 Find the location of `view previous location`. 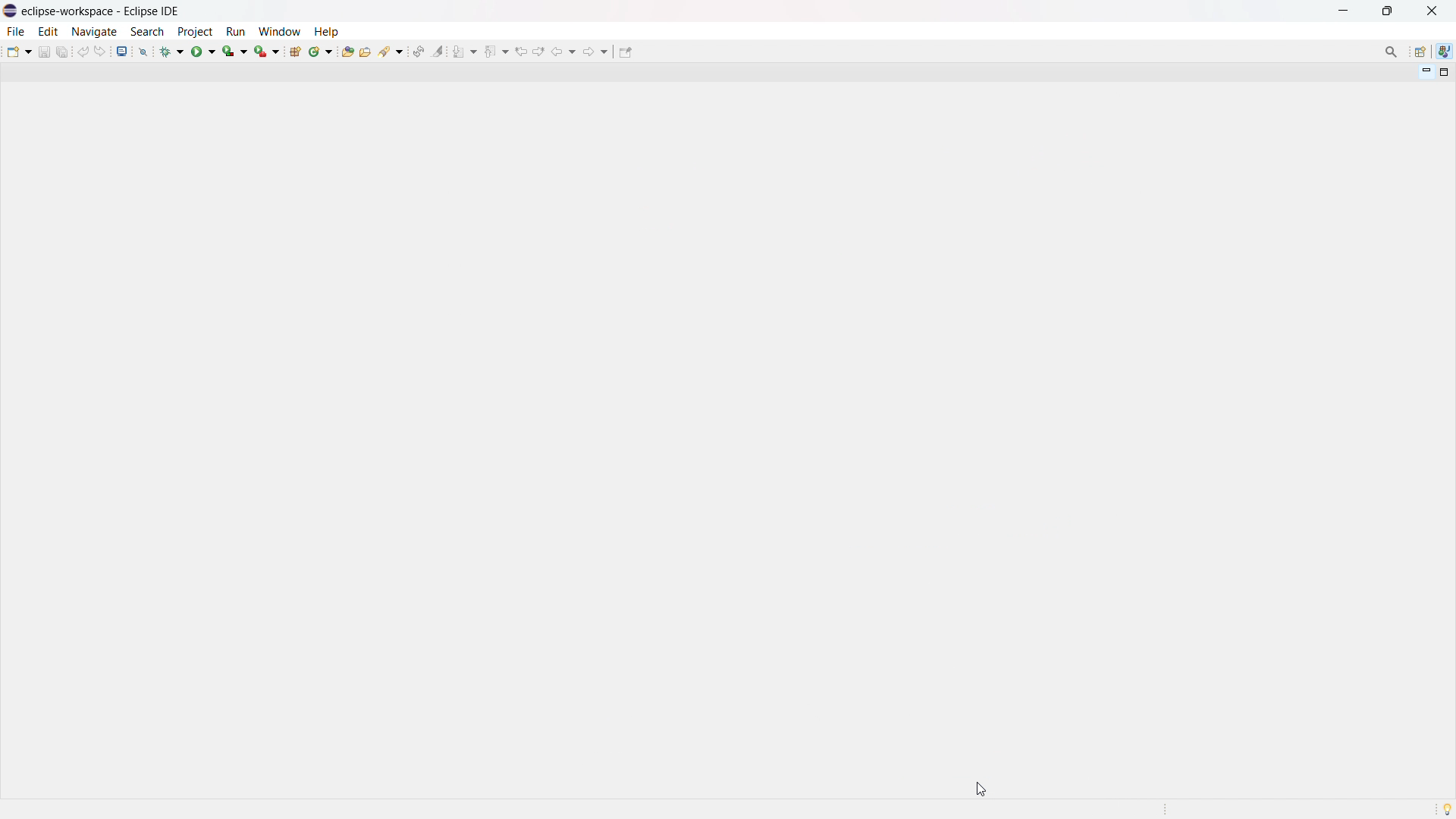

view previous location is located at coordinates (521, 51).